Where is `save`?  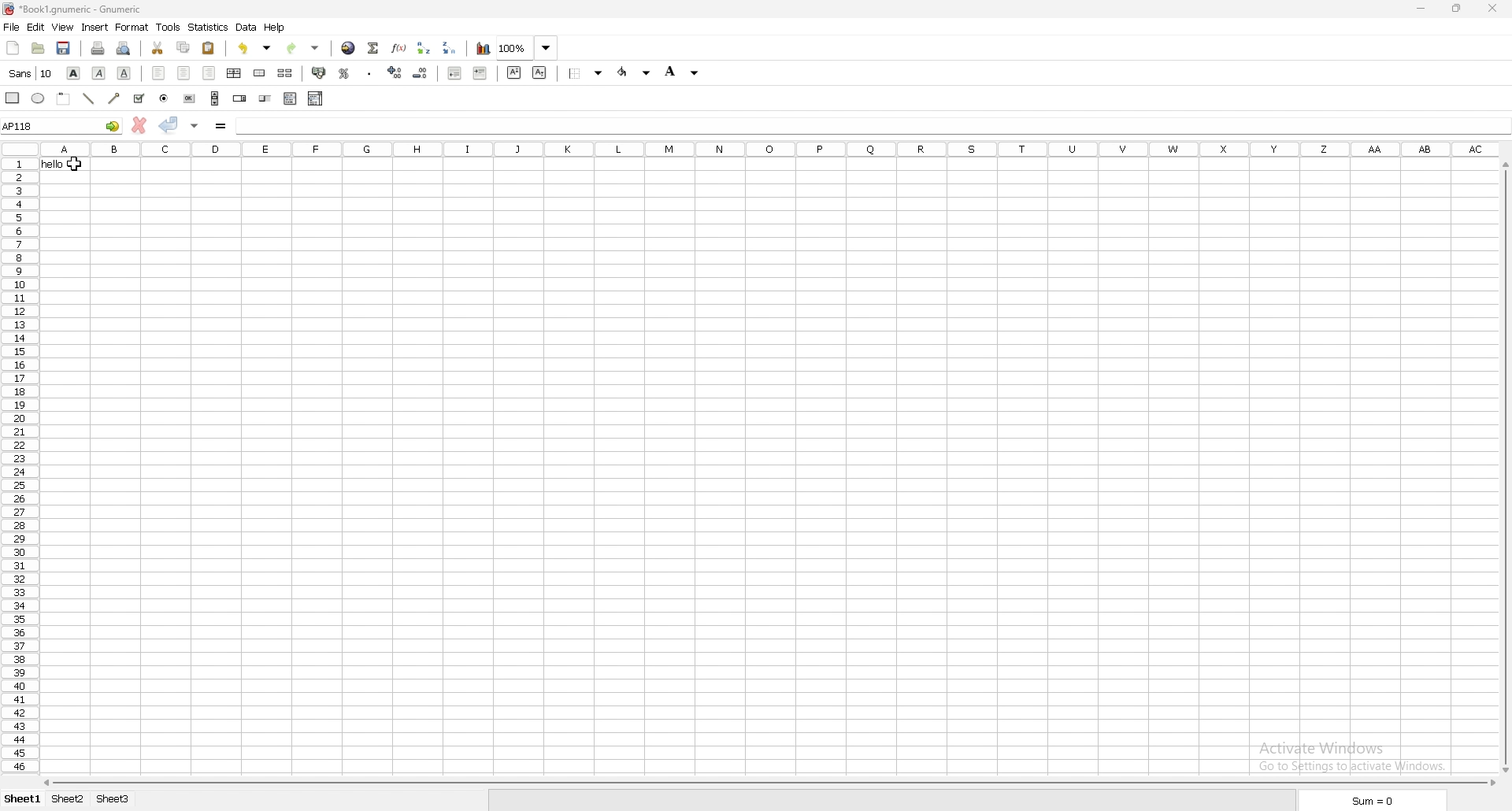 save is located at coordinates (64, 48).